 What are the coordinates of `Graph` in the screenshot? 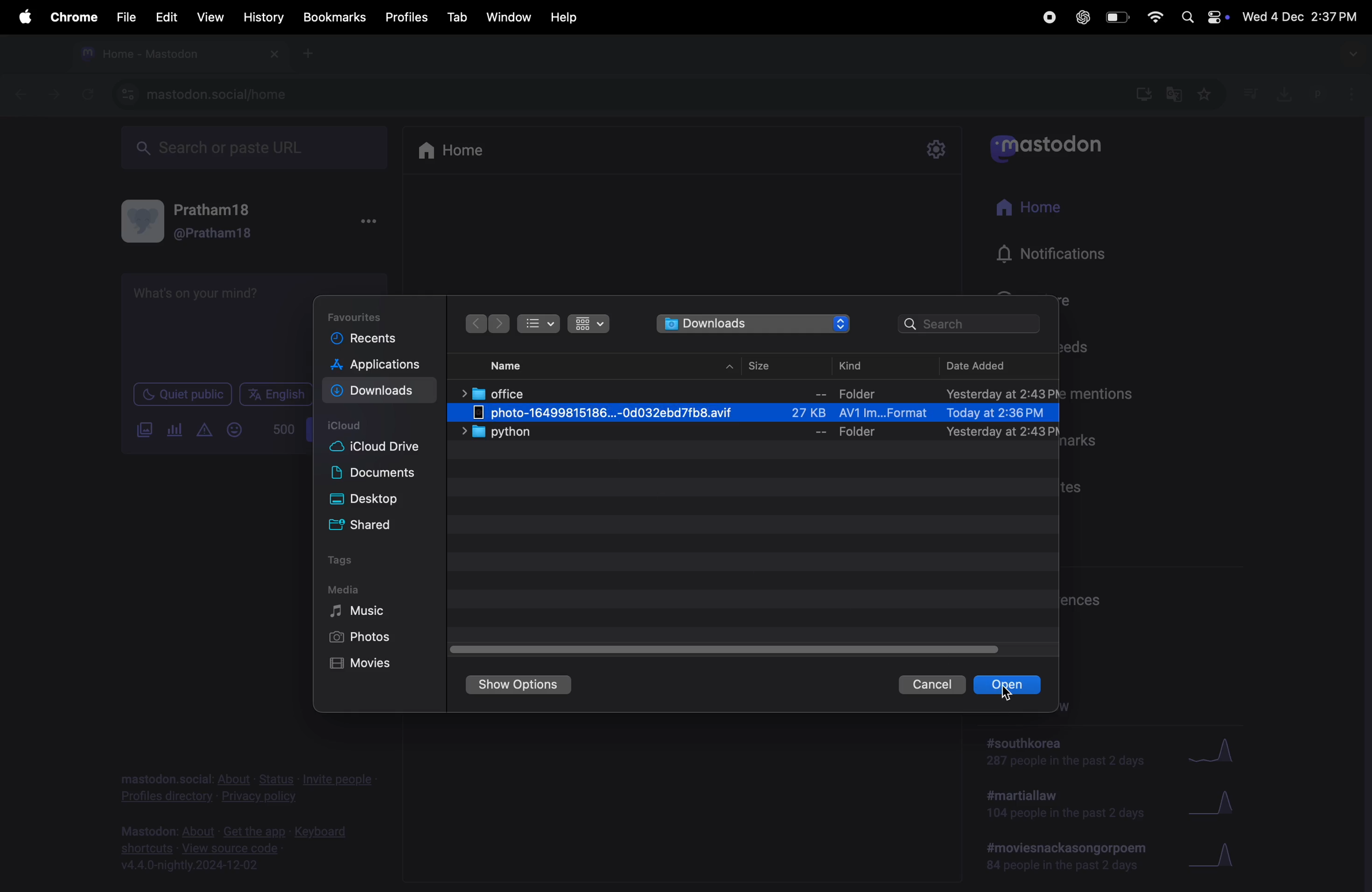 It's located at (1215, 806).